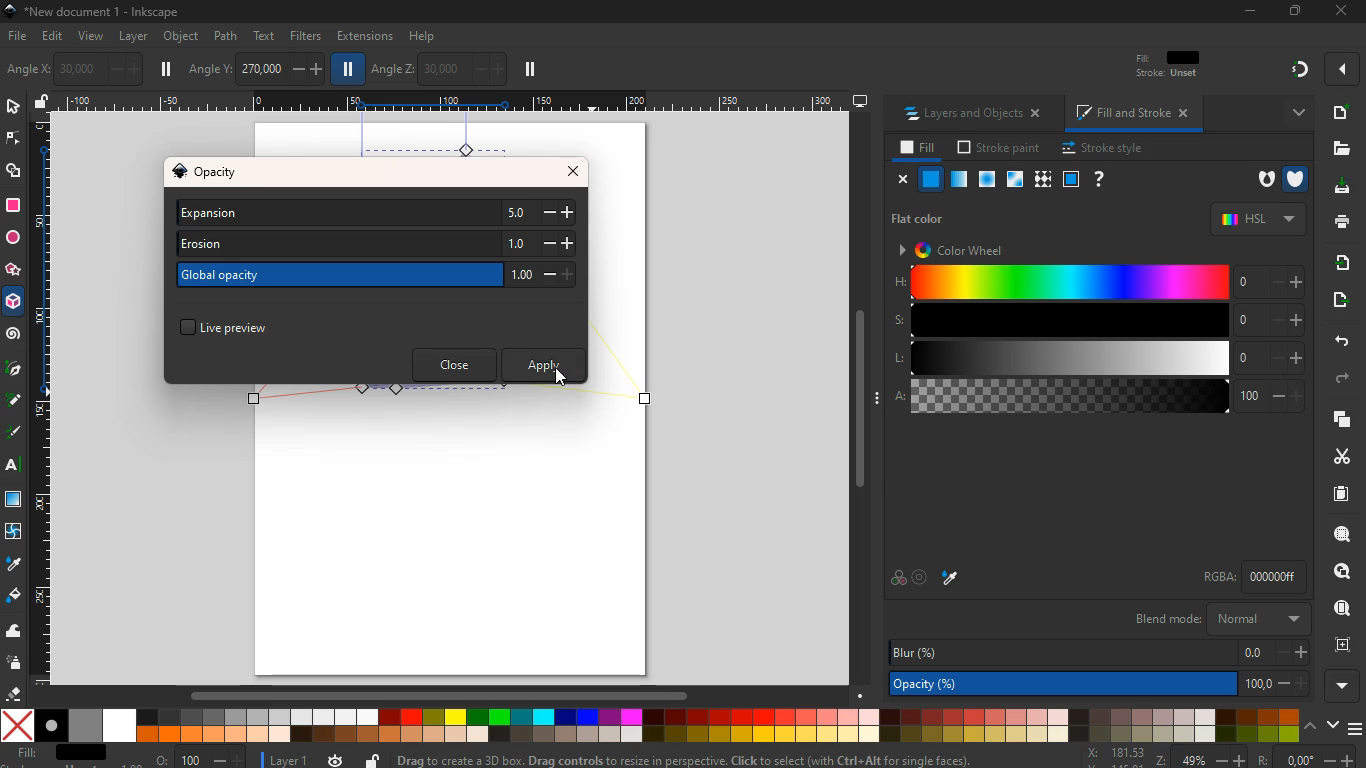  What do you see at coordinates (15, 305) in the screenshot?
I see `3d tool` at bounding box center [15, 305].